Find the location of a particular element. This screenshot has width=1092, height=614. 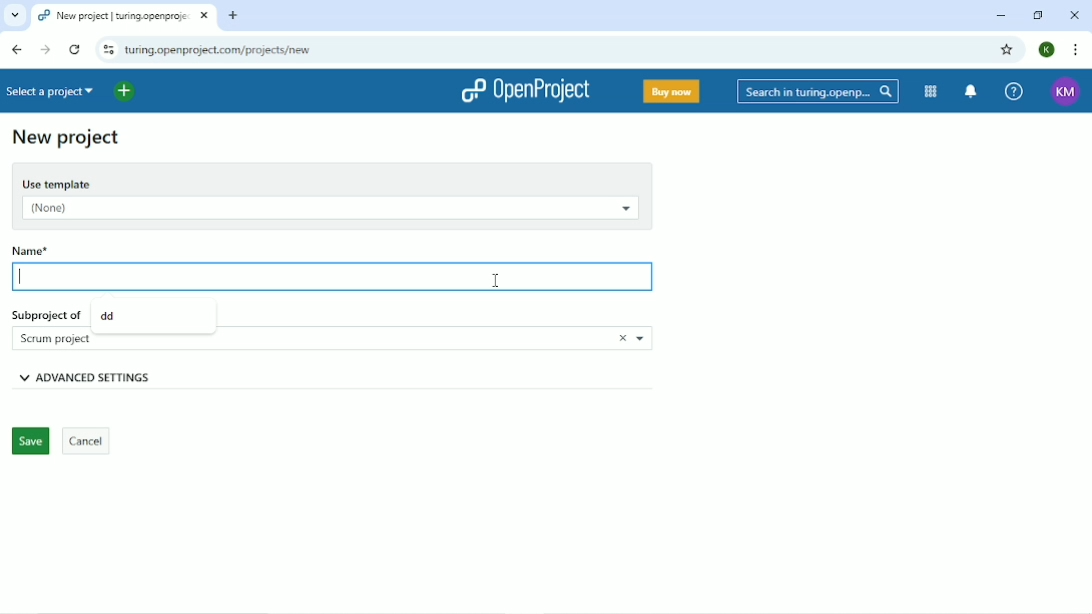

KM is located at coordinates (1066, 92).